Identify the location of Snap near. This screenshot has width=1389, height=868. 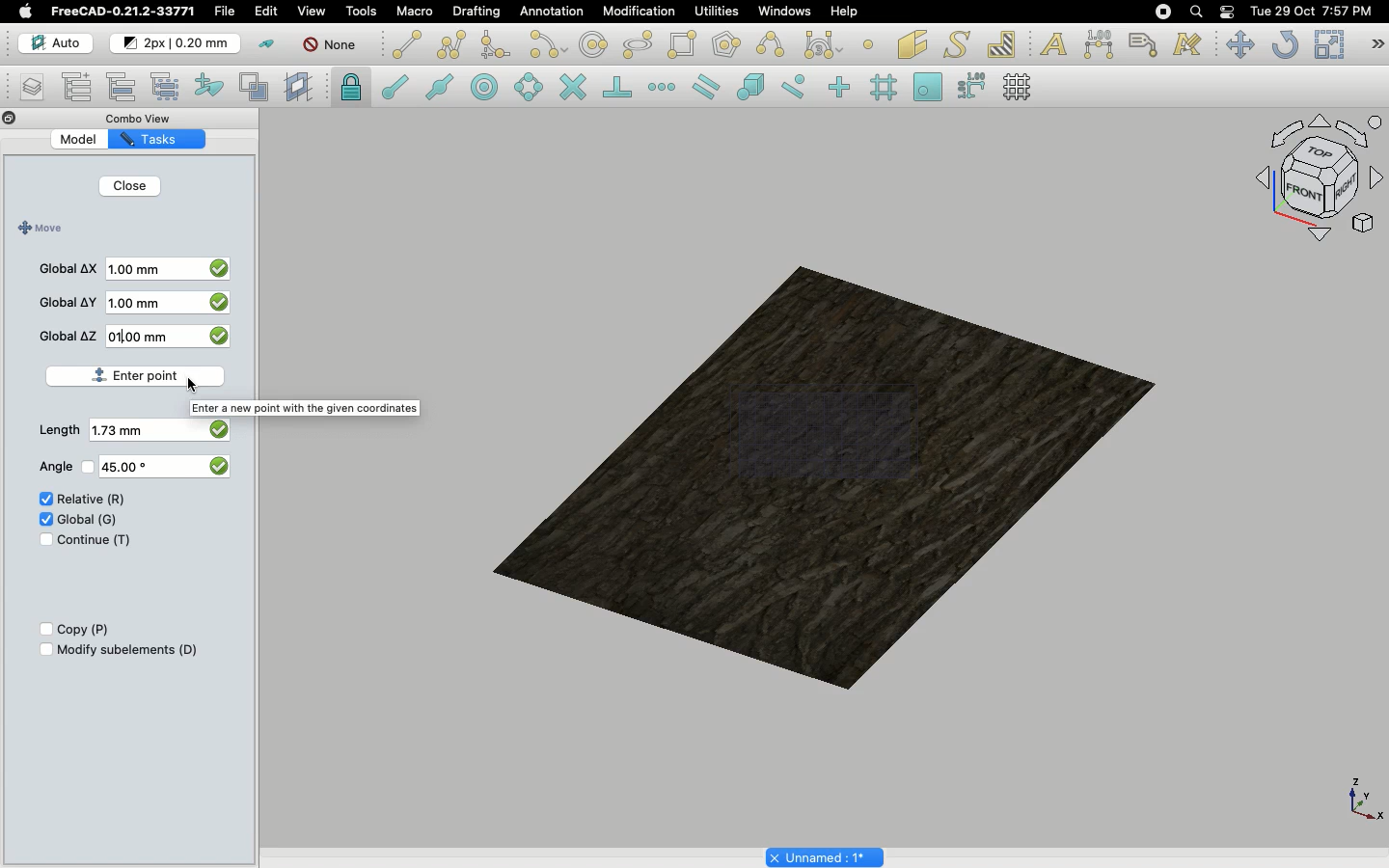
(799, 87).